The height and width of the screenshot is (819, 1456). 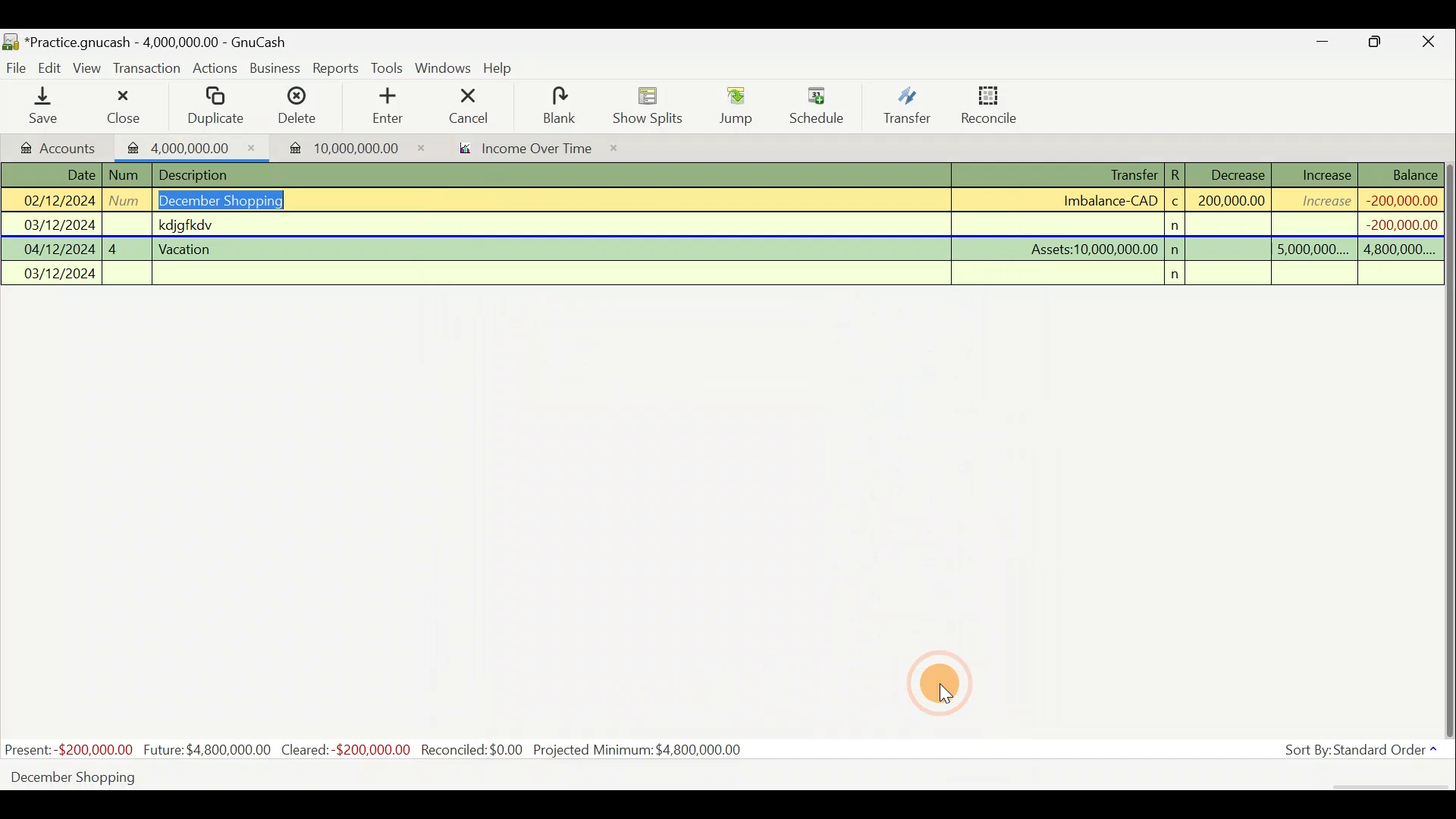 I want to click on Imported transaction 2, so click(x=339, y=148).